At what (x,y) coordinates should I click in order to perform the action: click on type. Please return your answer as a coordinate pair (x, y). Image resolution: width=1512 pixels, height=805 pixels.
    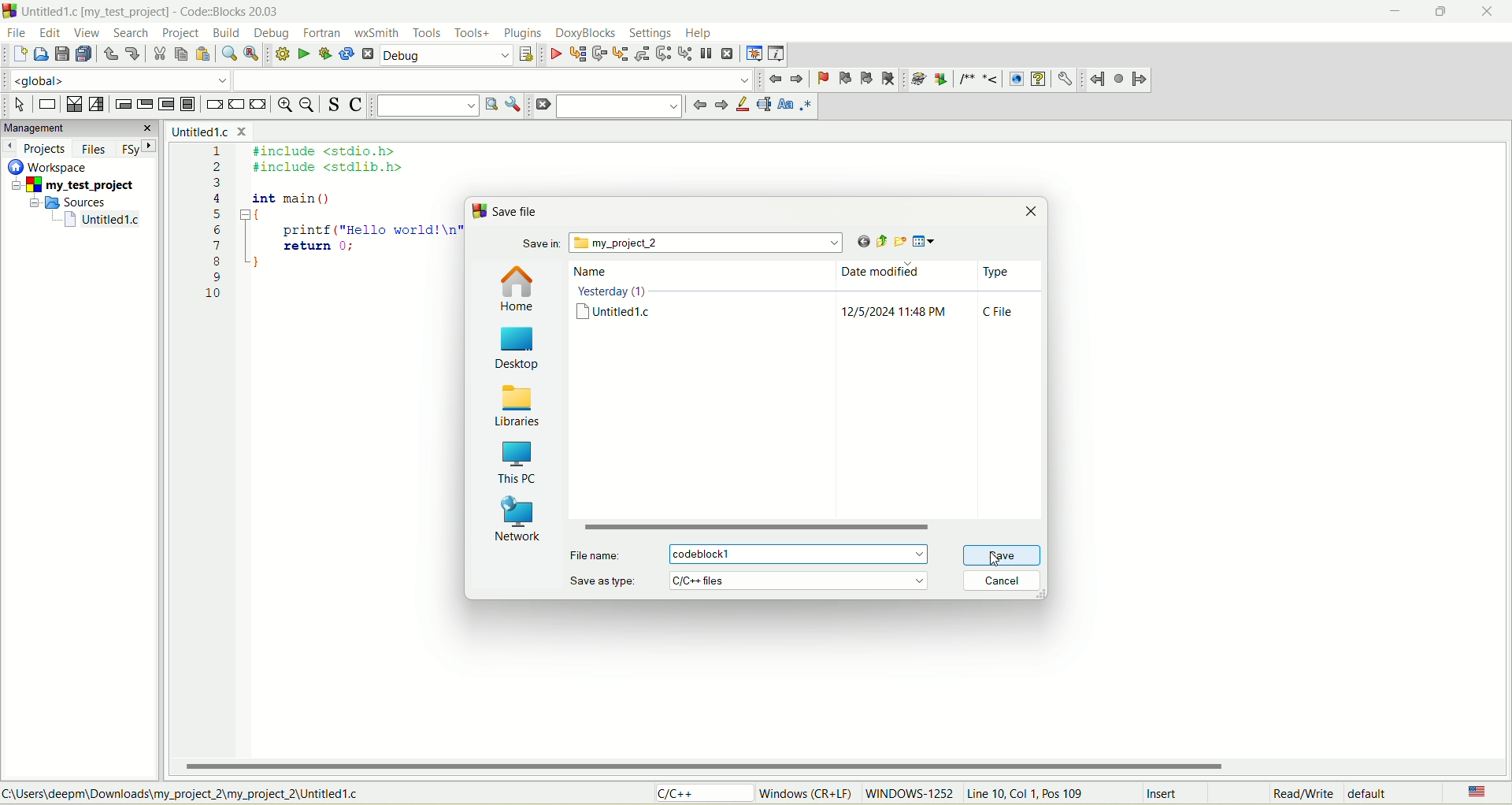
    Looking at the image, I should click on (1001, 298).